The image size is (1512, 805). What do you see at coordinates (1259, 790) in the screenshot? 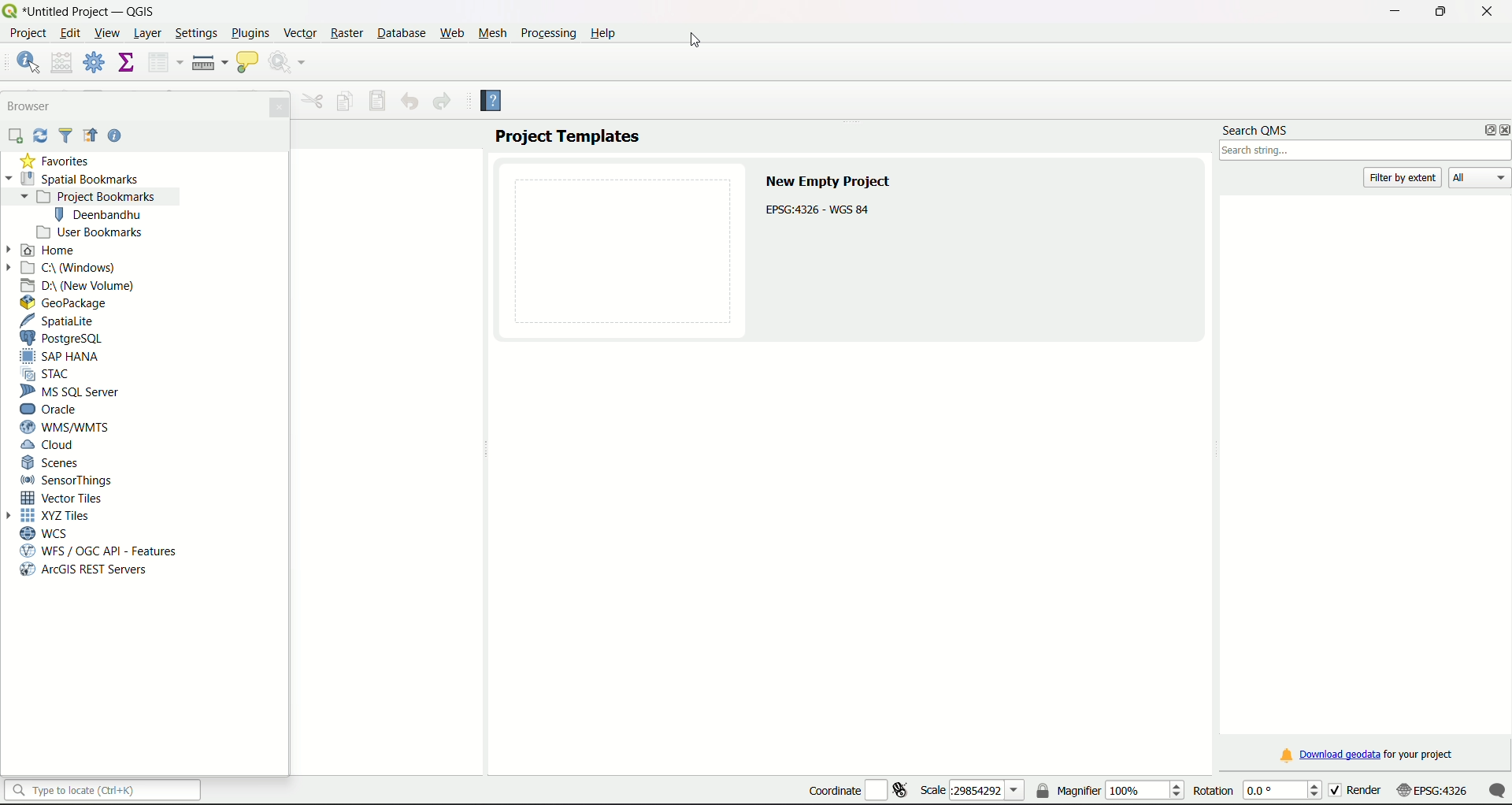
I see `rotation` at bounding box center [1259, 790].